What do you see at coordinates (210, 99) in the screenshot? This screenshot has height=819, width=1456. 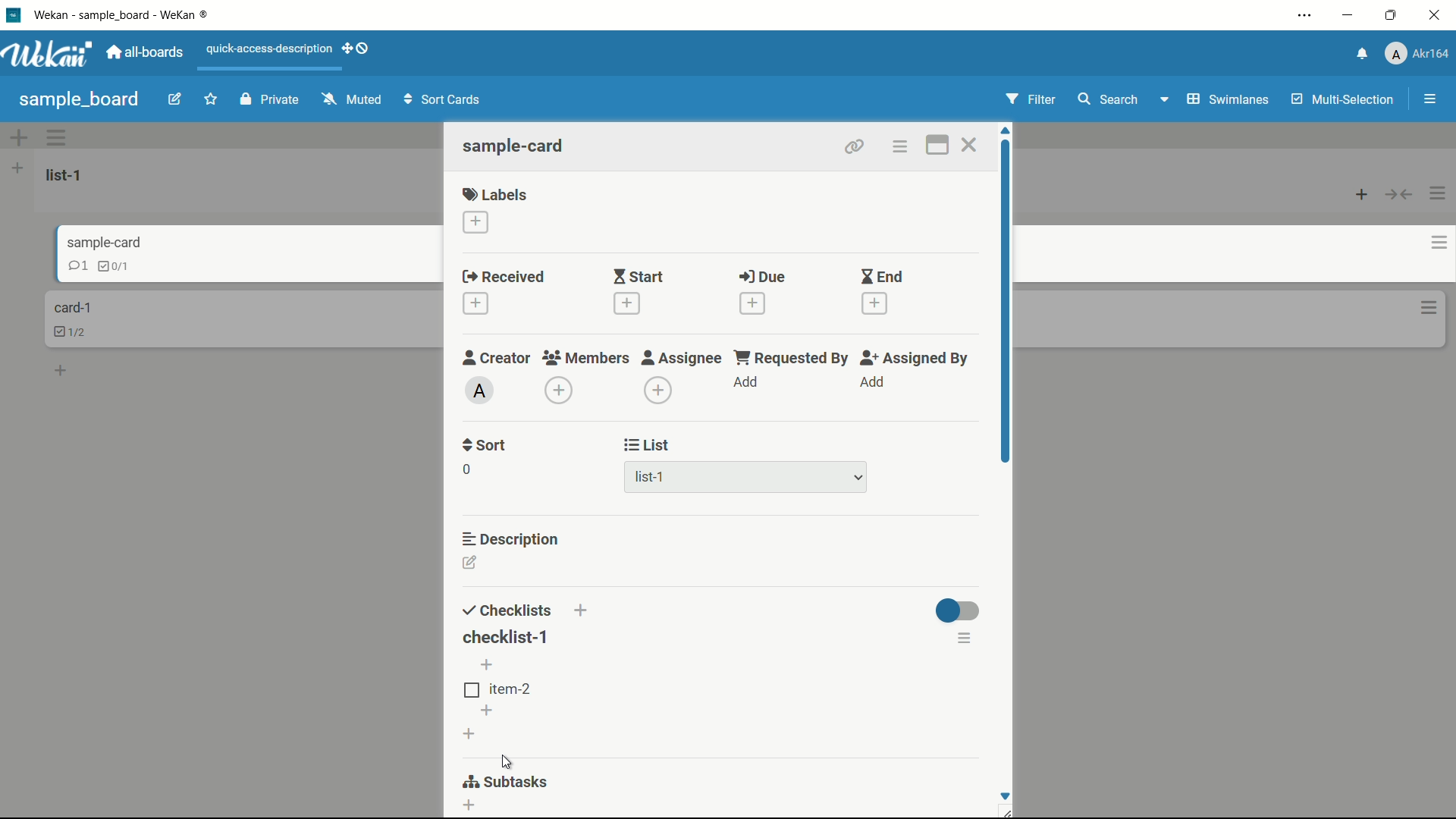 I see `star` at bounding box center [210, 99].